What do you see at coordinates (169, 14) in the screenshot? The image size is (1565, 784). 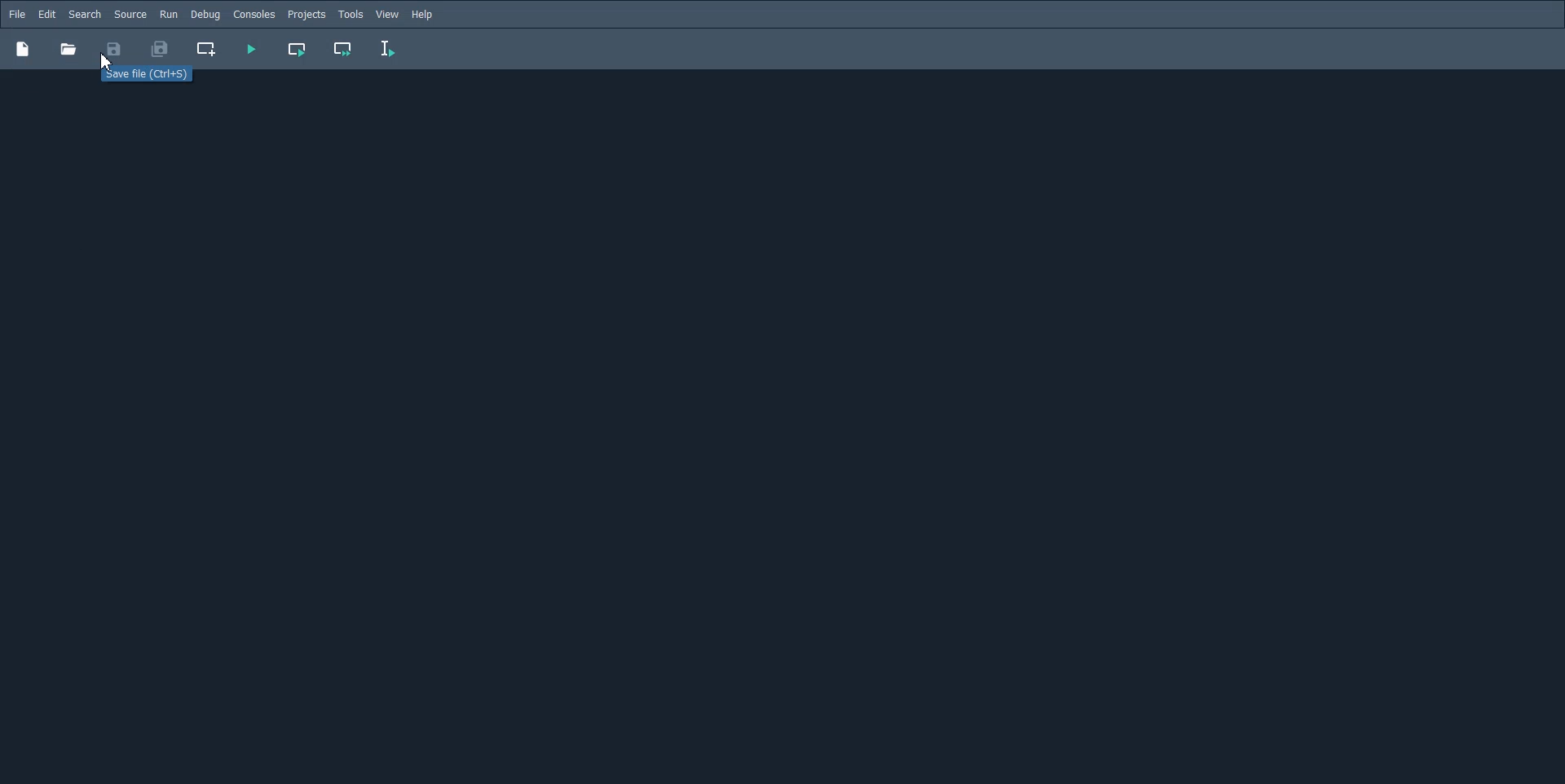 I see `Run` at bounding box center [169, 14].